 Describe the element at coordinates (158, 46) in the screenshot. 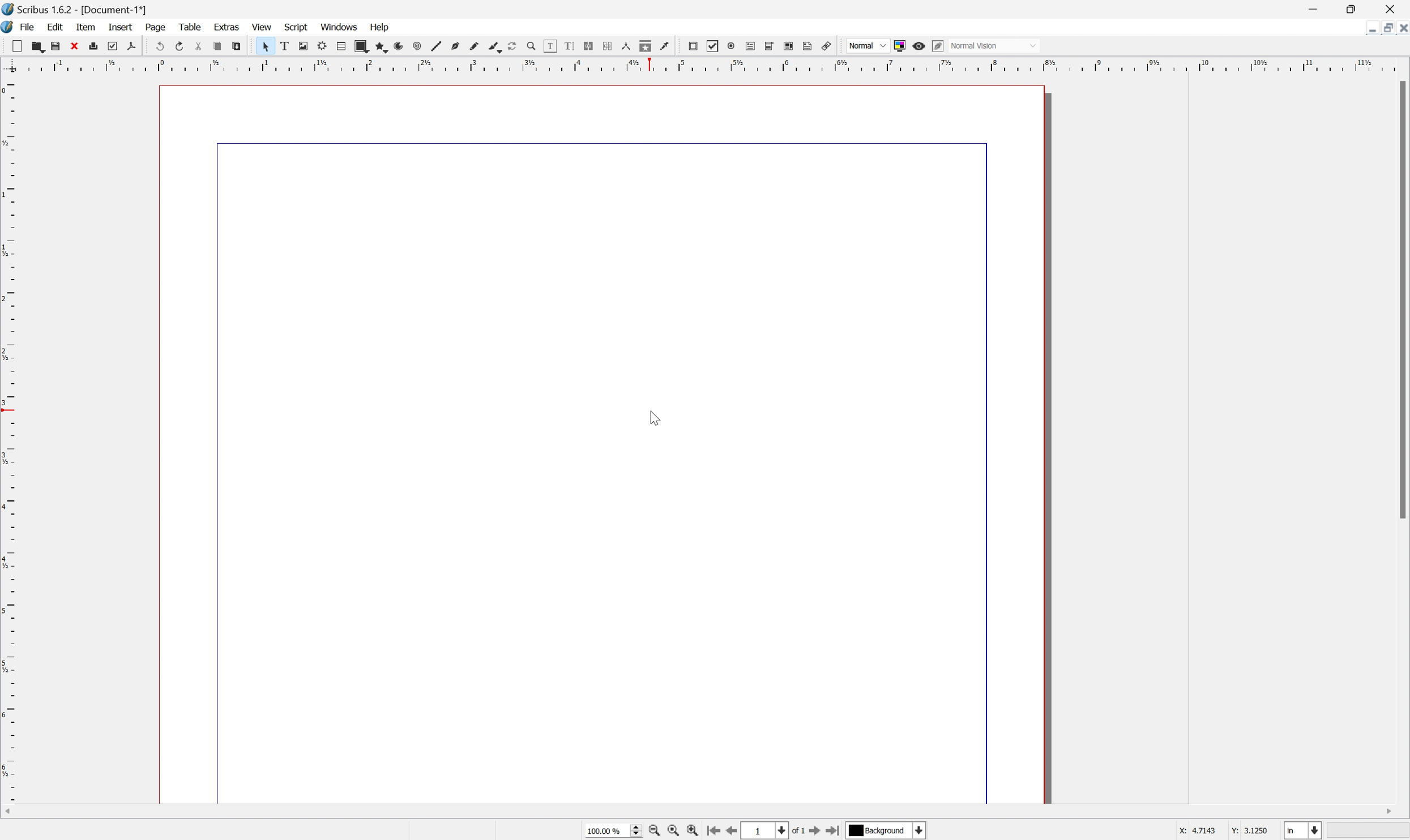

I see `undo` at that location.